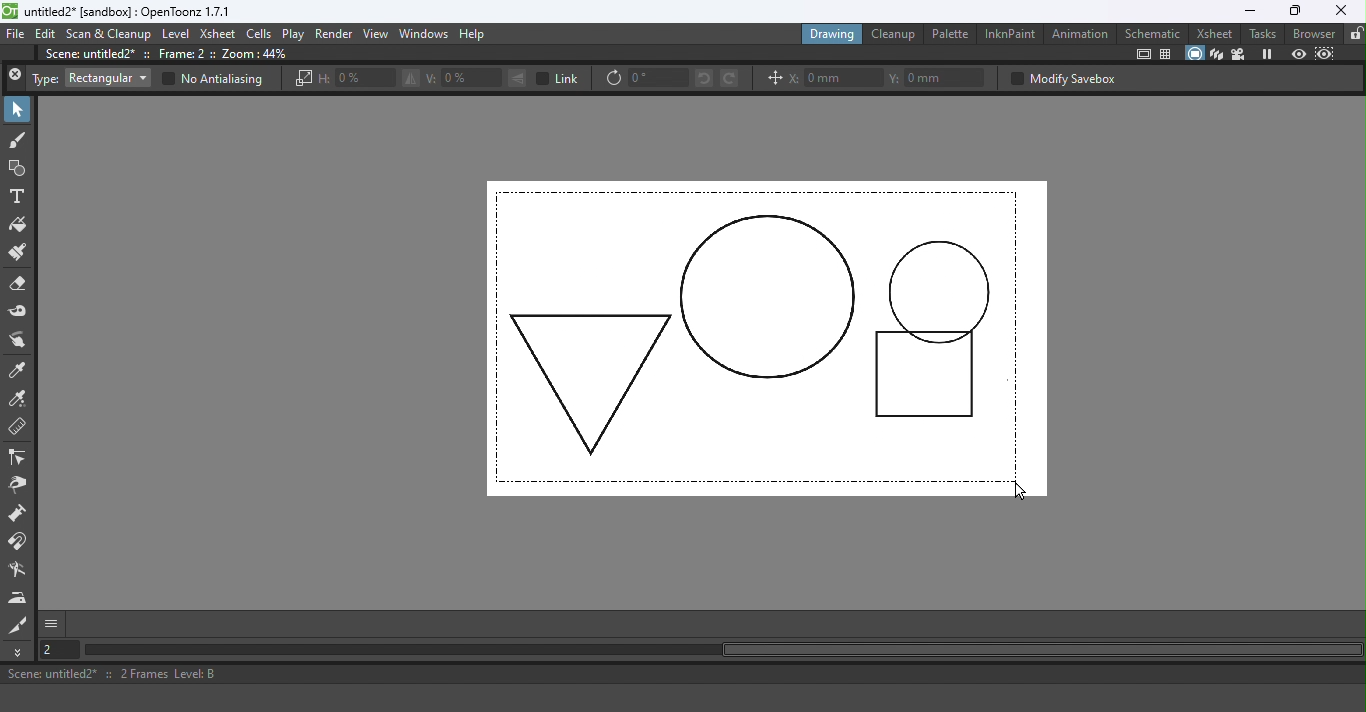 The height and width of the screenshot is (712, 1366). Describe the element at coordinates (832, 33) in the screenshot. I see `Drawing` at that location.